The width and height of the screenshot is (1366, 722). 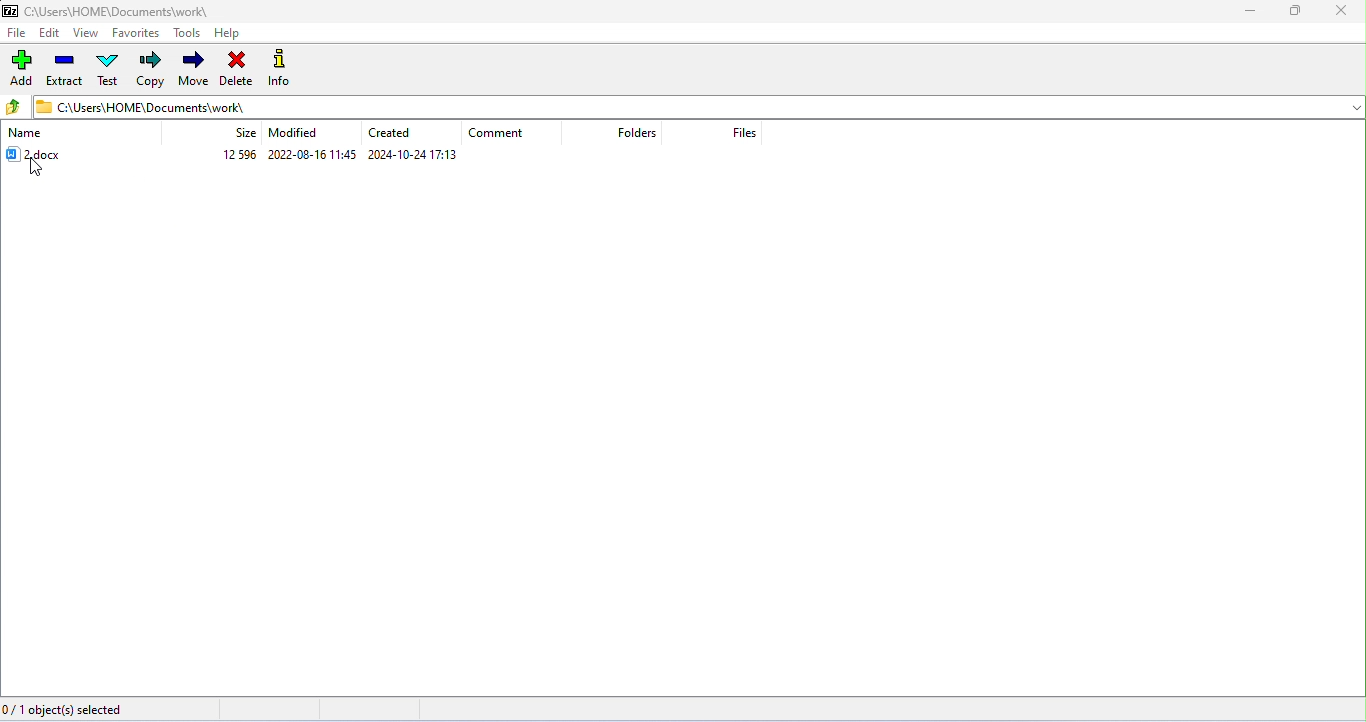 What do you see at coordinates (192, 67) in the screenshot?
I see `move` at bounding box center [192, 67].